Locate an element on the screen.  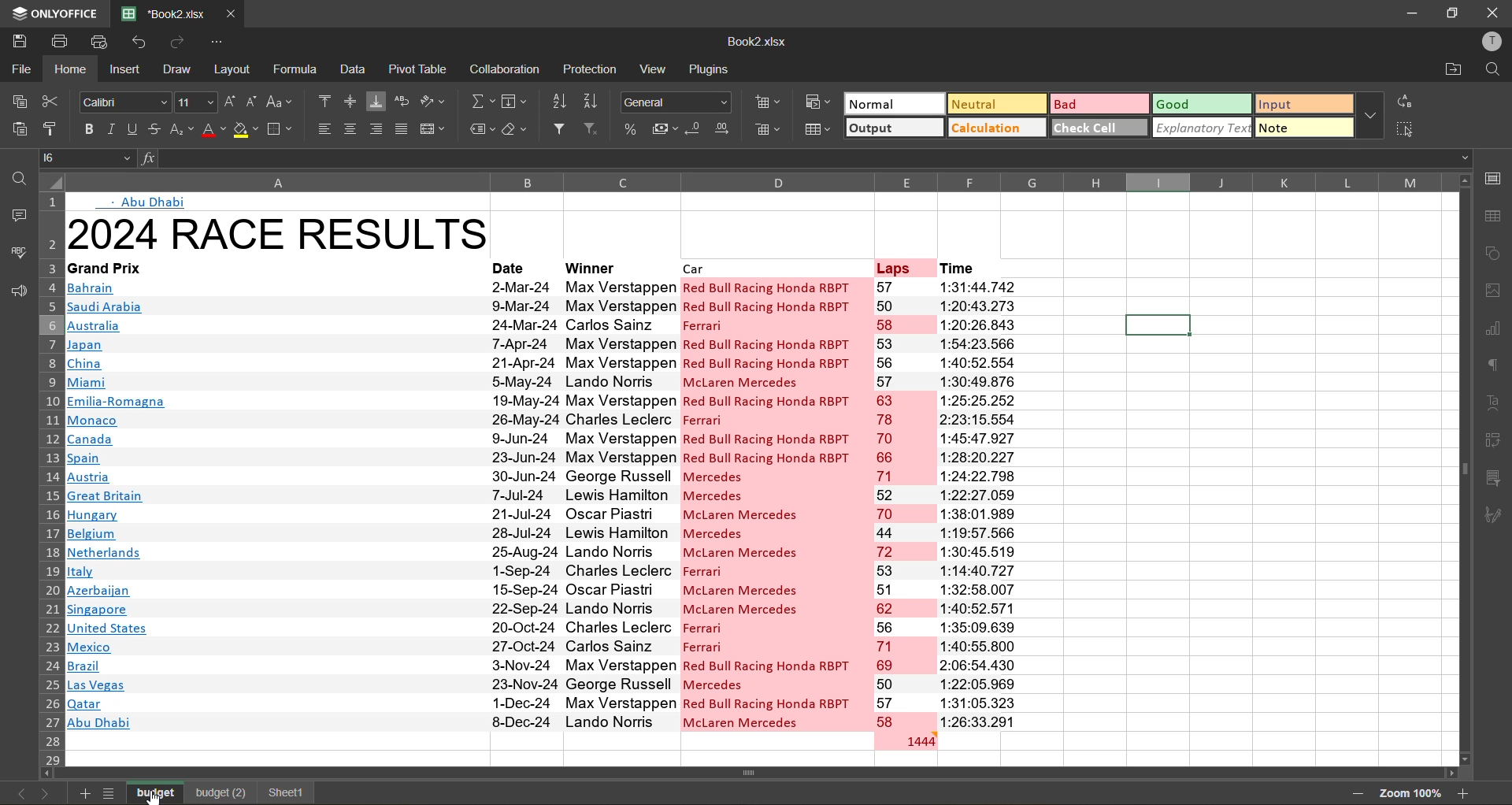
shapes is located at coordinates (1495, 254).